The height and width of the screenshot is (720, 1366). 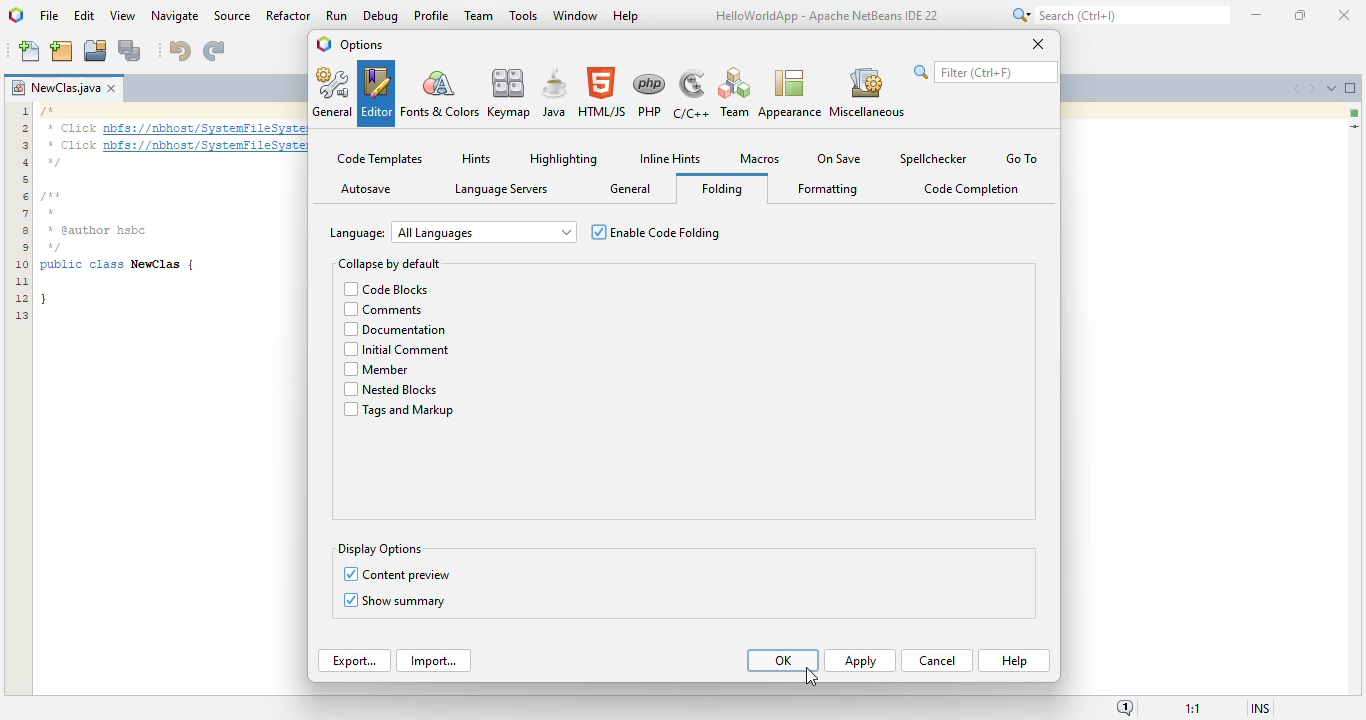 What do you see at coordinates (826, 18) in the screenshot?
I see `HelloWorldApp - Apache NetBeans IDE 22` at bounding box center [826, 18].